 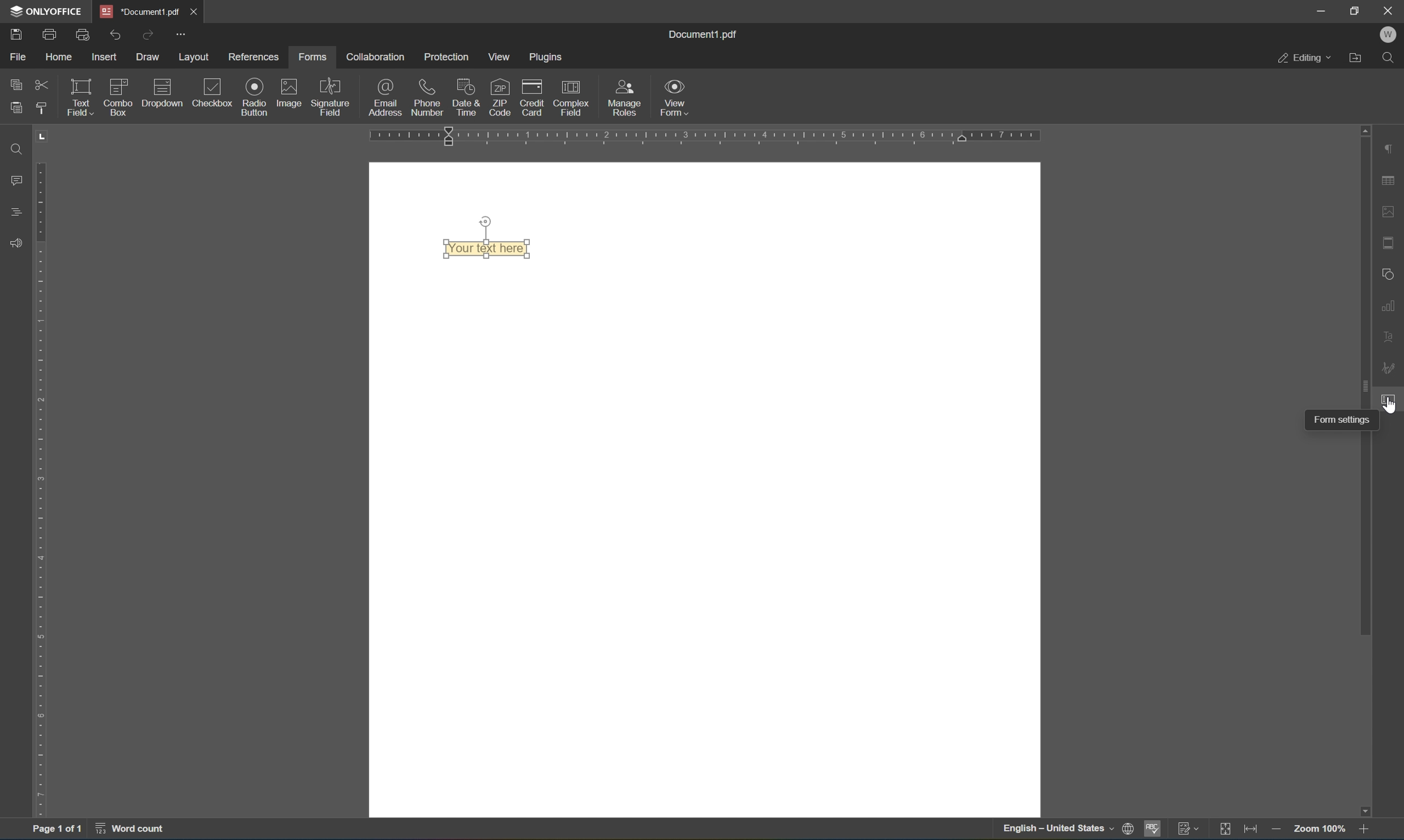 What do you see at coordinates (464, 96) in the screenshot?
I see `date & time` at bounding box center [464, 96].